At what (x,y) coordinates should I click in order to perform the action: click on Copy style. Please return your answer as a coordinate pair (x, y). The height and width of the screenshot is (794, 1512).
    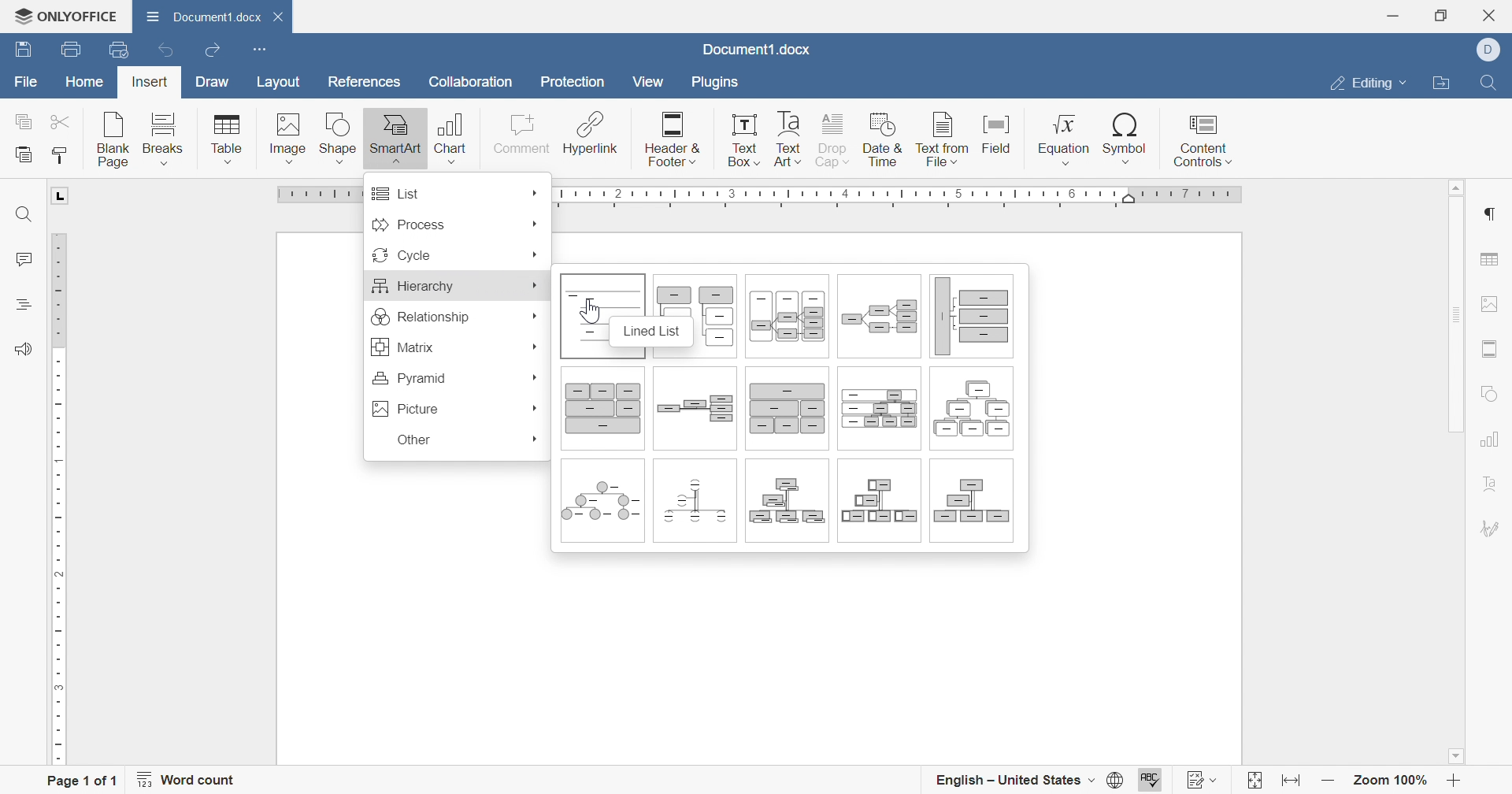
    Looking at the image, I should click on (62, 156).